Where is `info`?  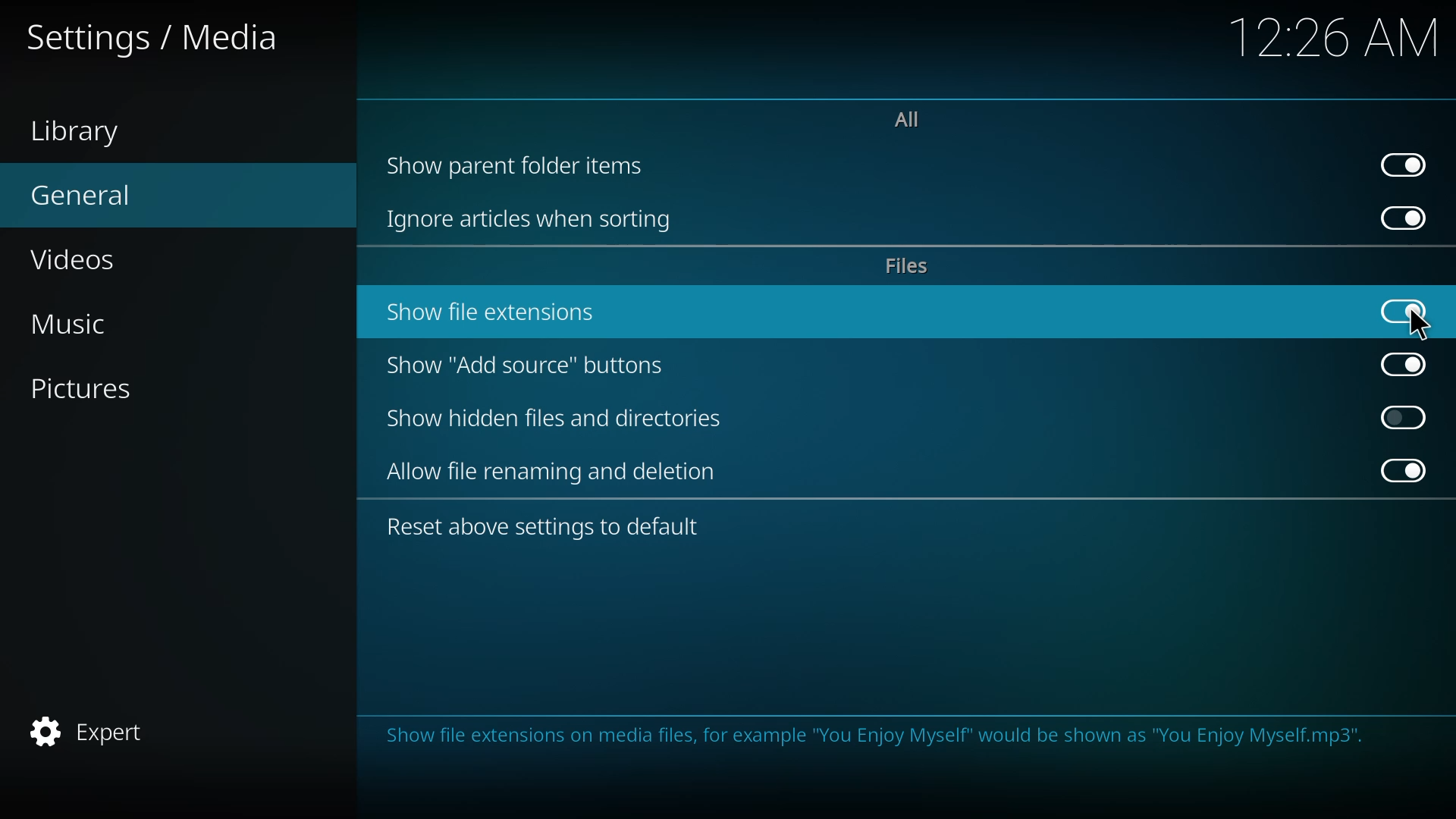
info is located at coordinates (871, 738).